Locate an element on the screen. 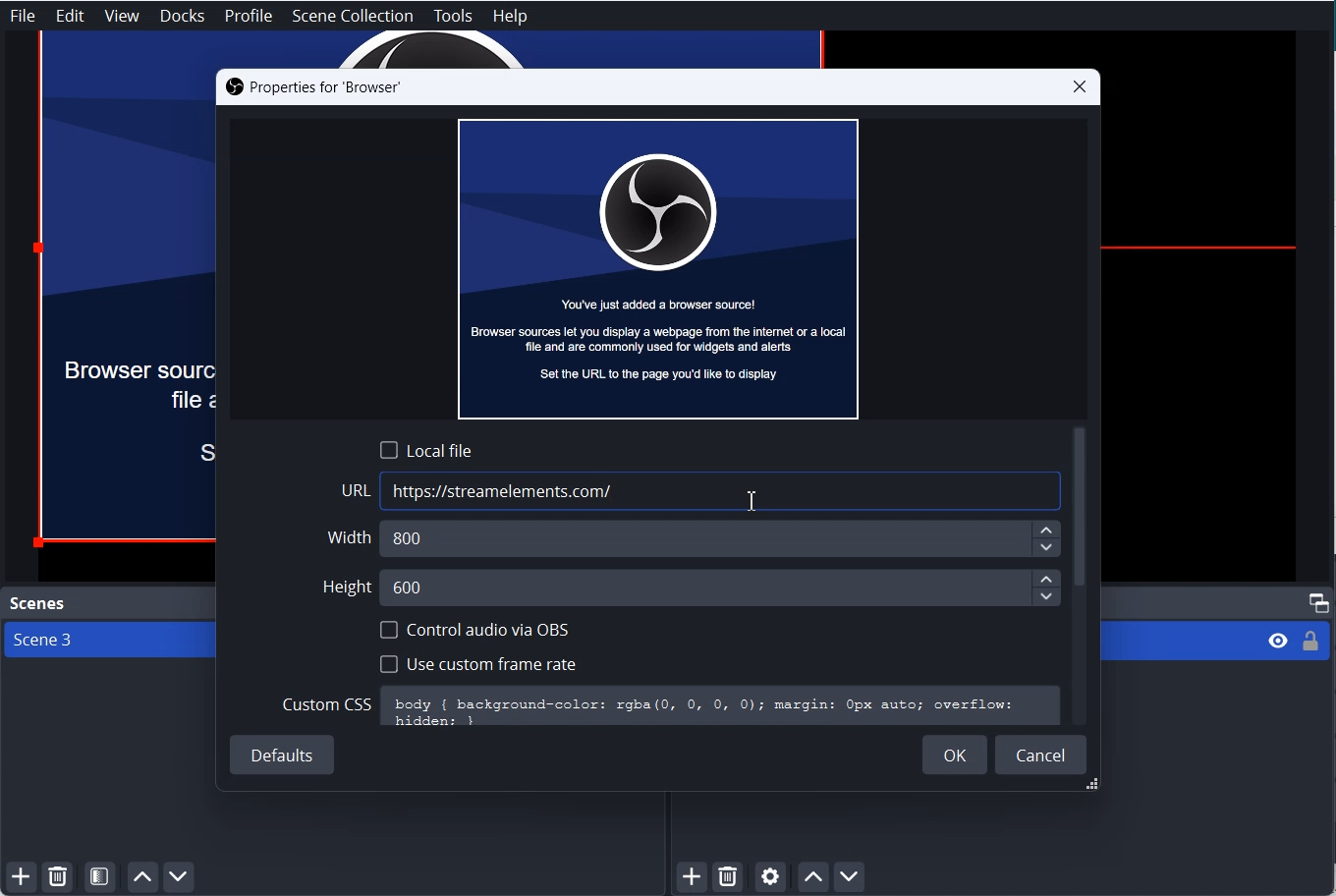 The width and height of the screenshot is (1336, 896). Open Scene filter is located at coordinates (100, 877).